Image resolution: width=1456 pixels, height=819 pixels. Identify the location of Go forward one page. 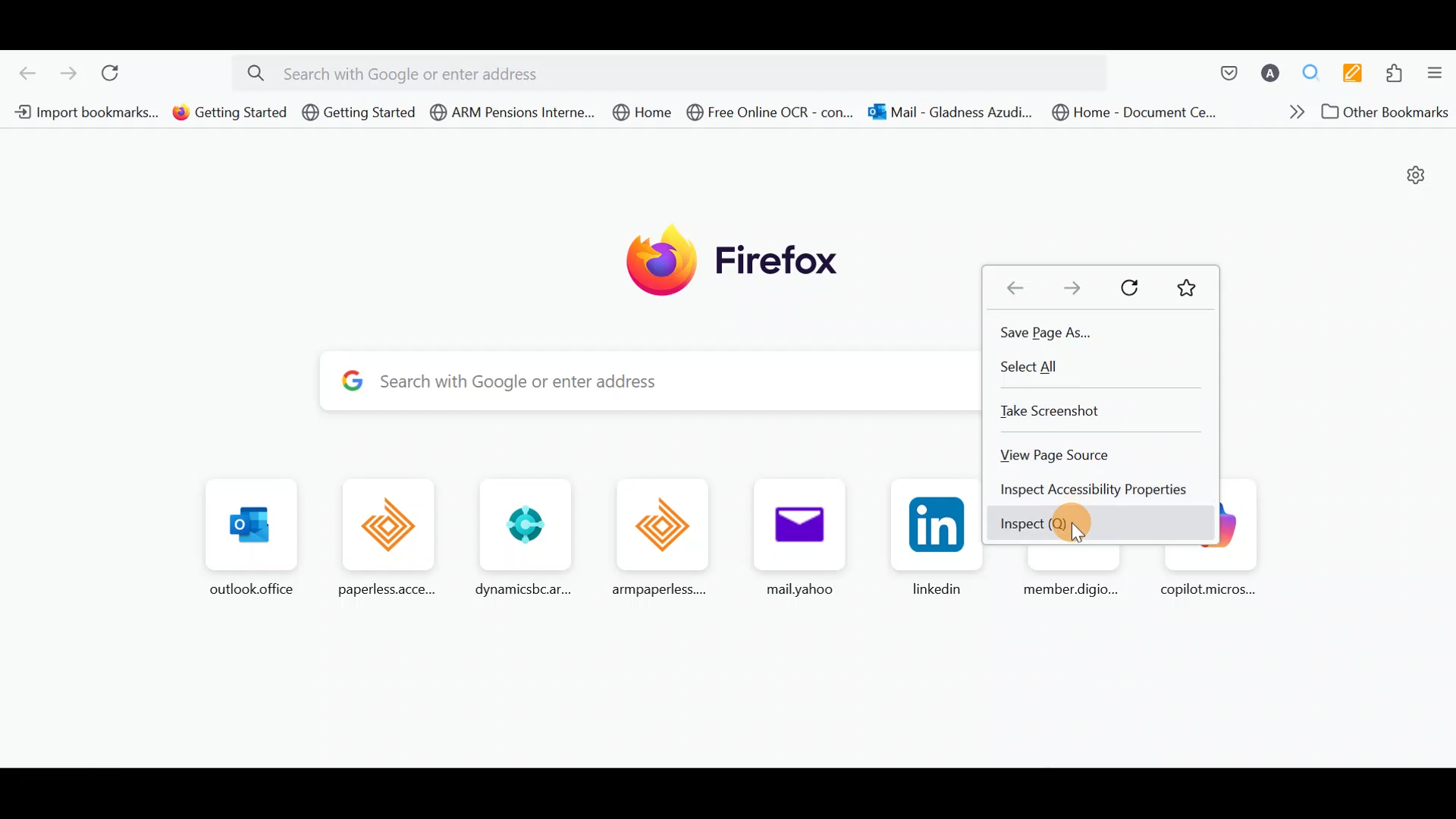
(1082, 283).